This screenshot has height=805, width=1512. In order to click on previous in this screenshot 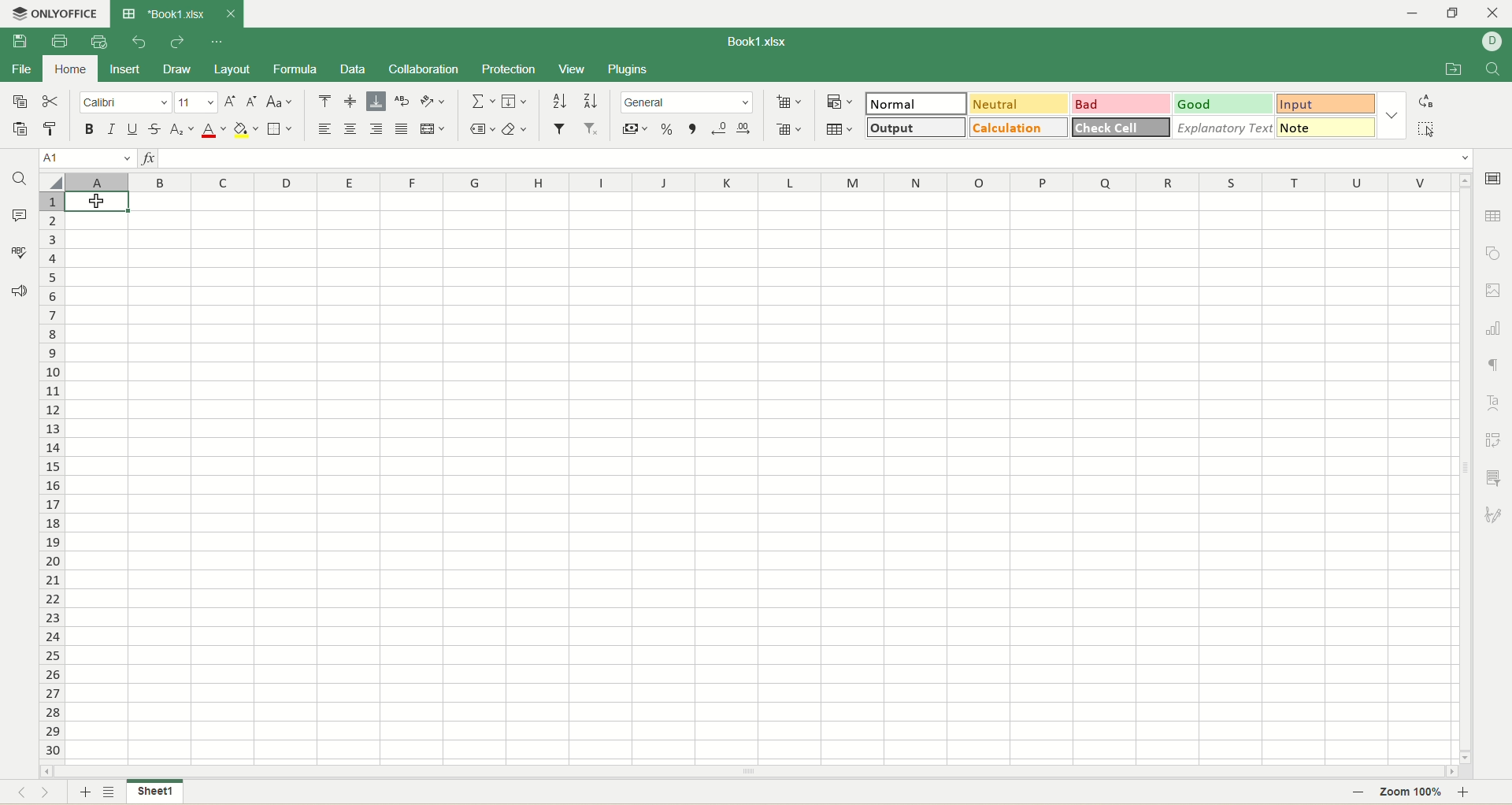, I will do `click(18, 794)`.